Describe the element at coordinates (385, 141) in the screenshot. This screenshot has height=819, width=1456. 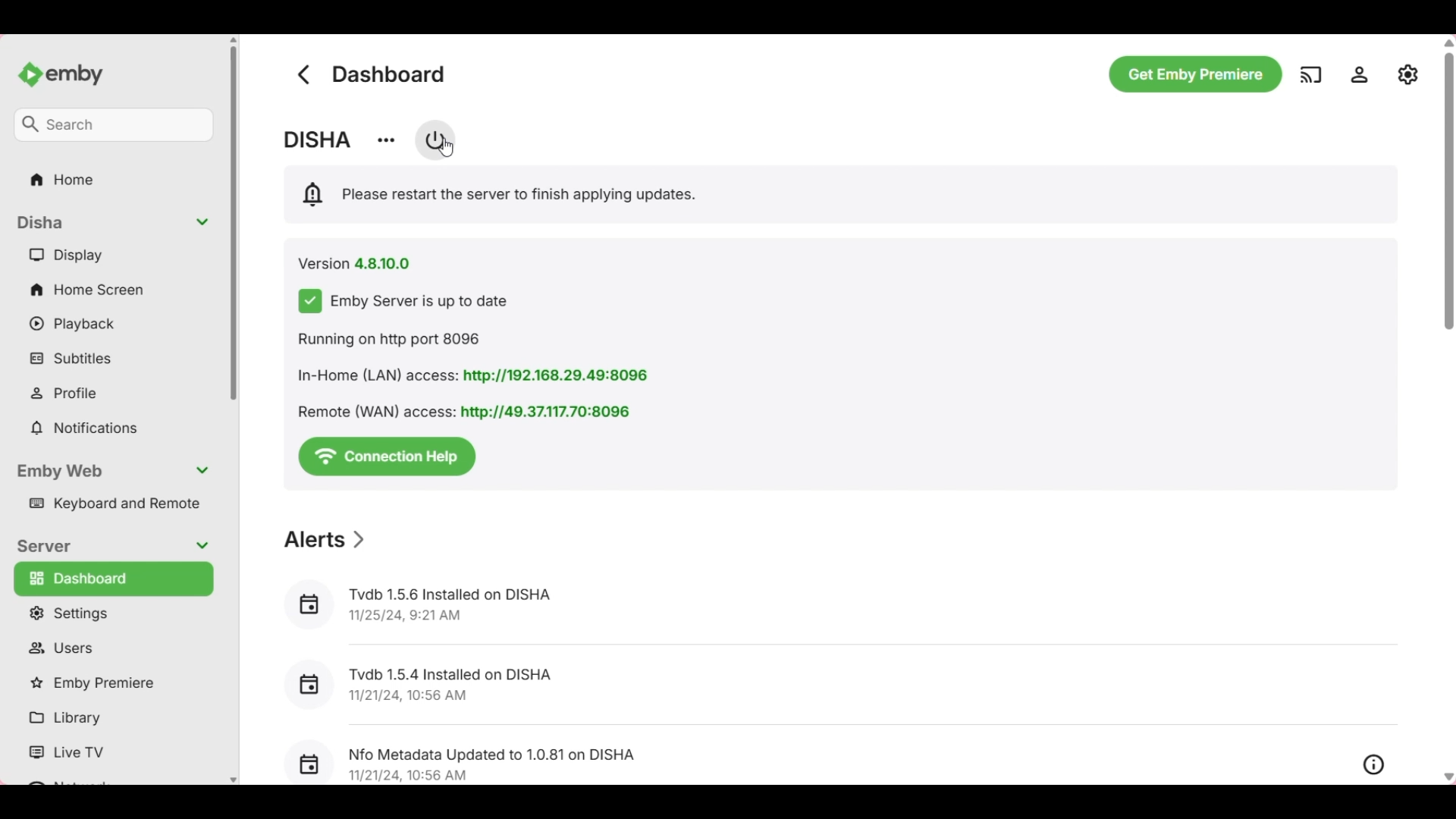
I see `Change server display name/View info` at that location.